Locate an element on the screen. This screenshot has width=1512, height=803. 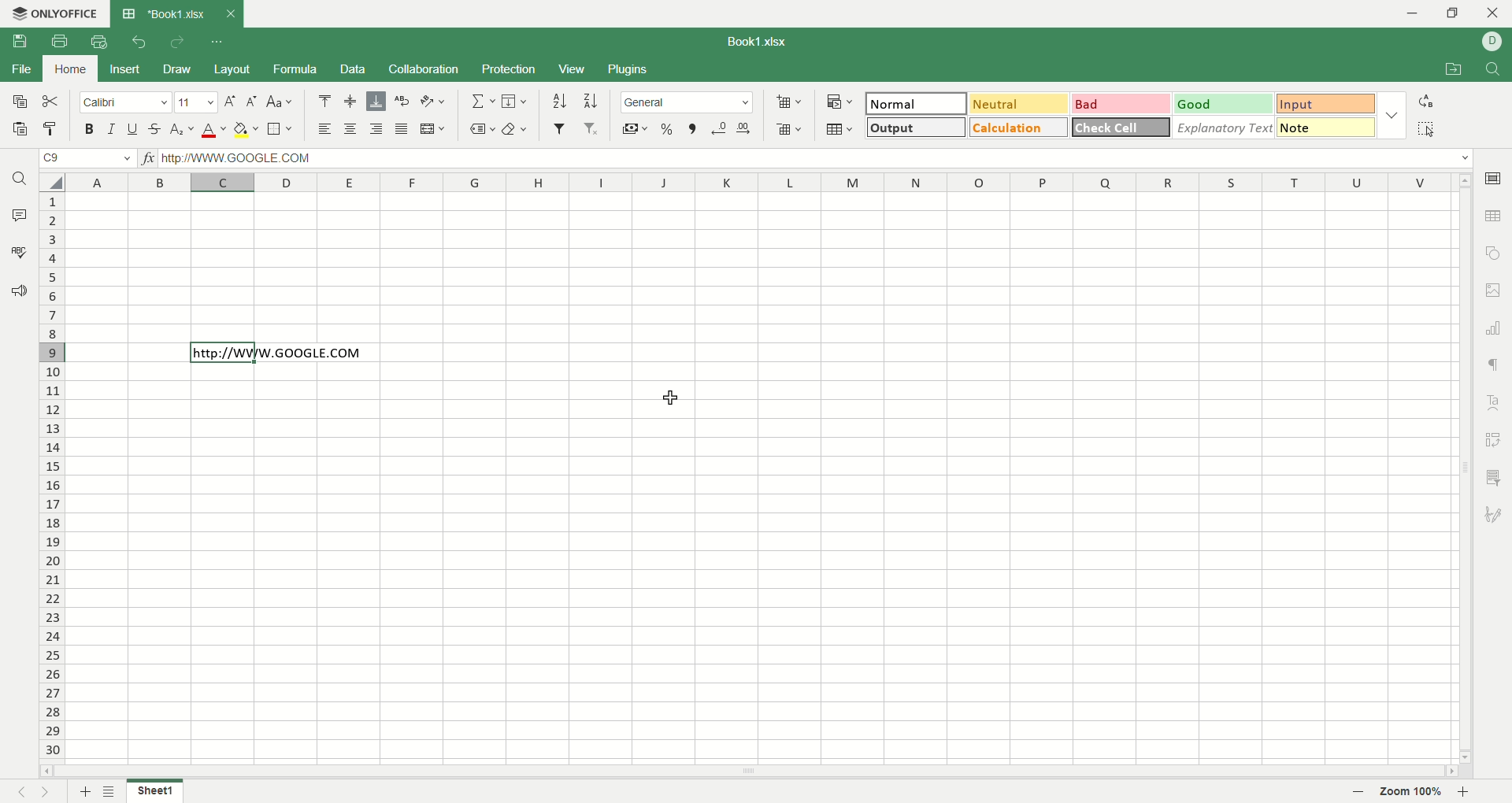
pivot settings is located at coordinates (1493, 437).